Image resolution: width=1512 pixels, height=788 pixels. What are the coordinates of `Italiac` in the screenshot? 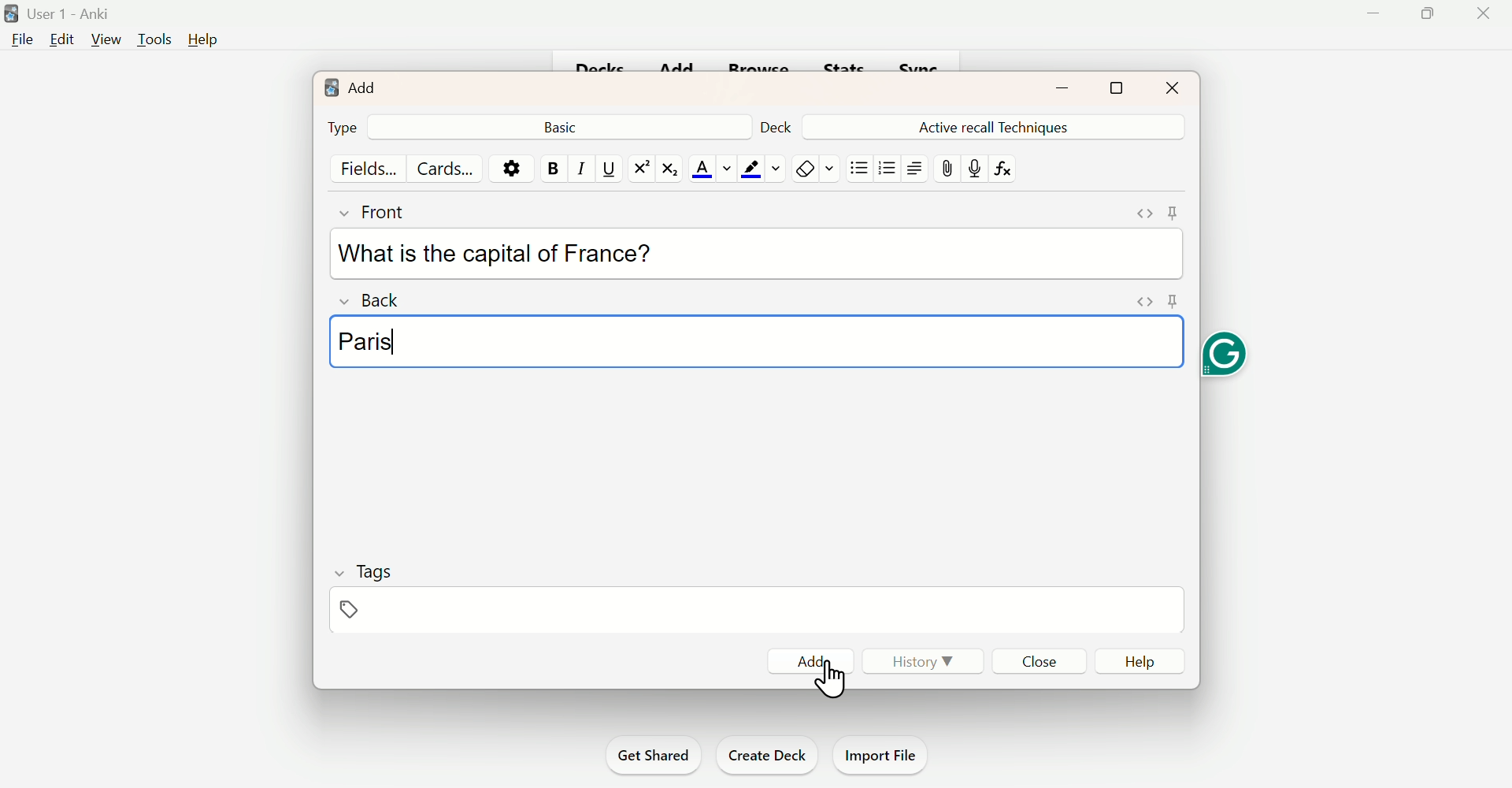 It's located at (576, 167).